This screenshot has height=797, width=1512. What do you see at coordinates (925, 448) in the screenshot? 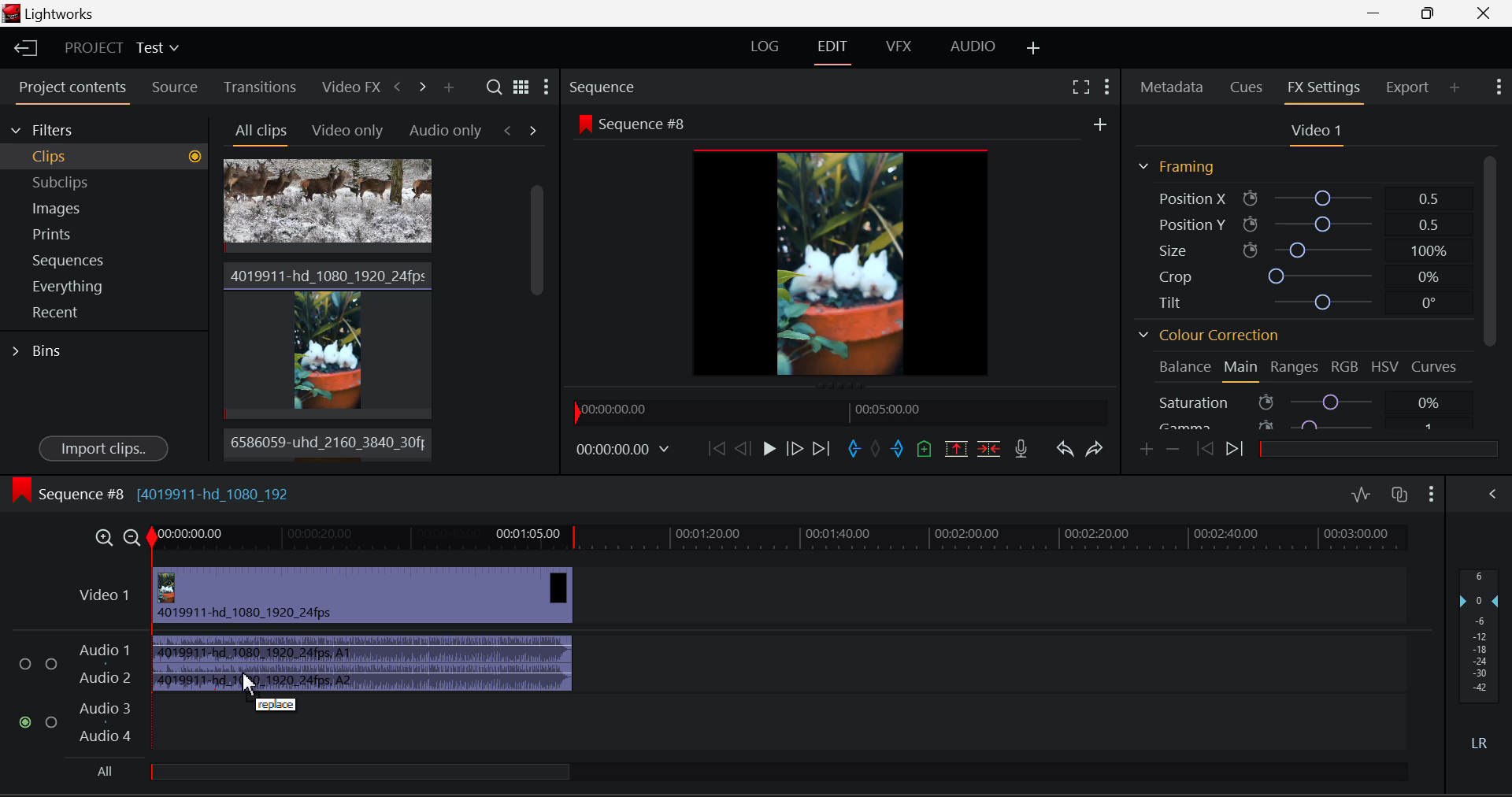
I see `Mark Cue` at bounding box center [925, 448].